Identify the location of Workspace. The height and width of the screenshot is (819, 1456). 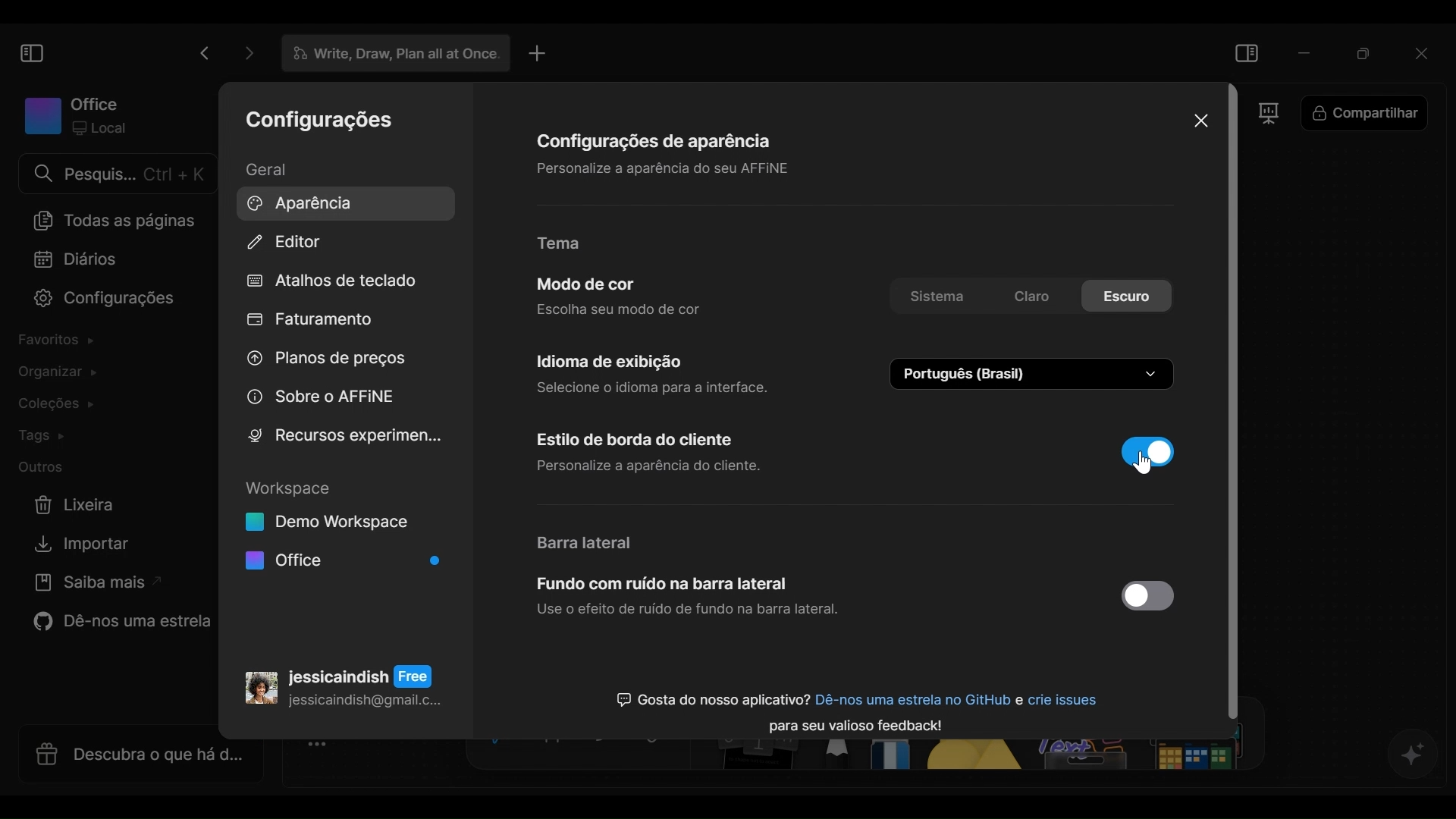
(76, 115).